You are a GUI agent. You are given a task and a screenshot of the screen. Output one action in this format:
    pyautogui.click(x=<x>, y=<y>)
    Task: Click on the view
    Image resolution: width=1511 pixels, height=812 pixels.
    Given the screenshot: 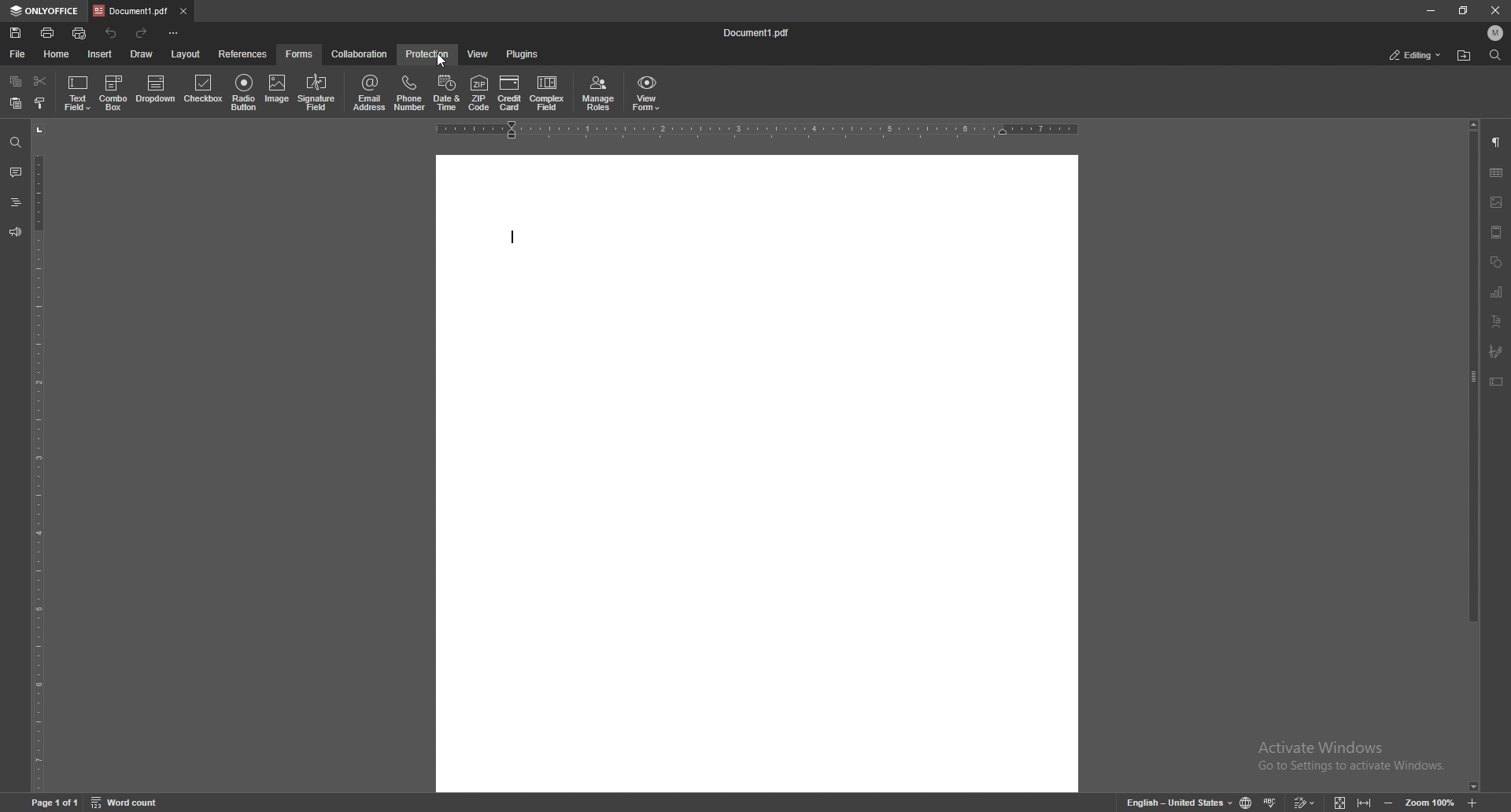 What is the action you would take?
    pyautogui.click(x=478, y=54)
    